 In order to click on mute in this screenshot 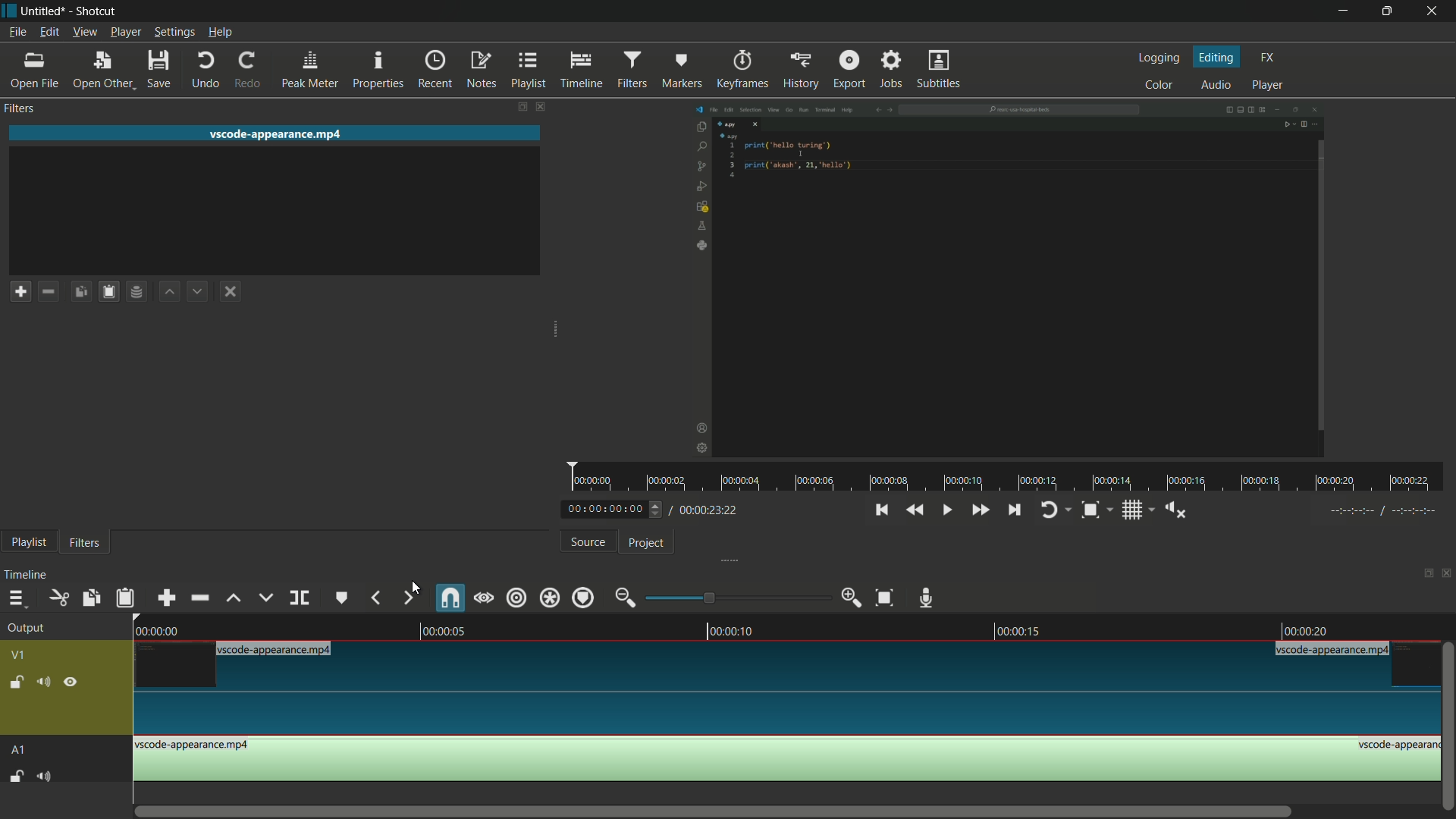, I will do `click(47, 777)`.